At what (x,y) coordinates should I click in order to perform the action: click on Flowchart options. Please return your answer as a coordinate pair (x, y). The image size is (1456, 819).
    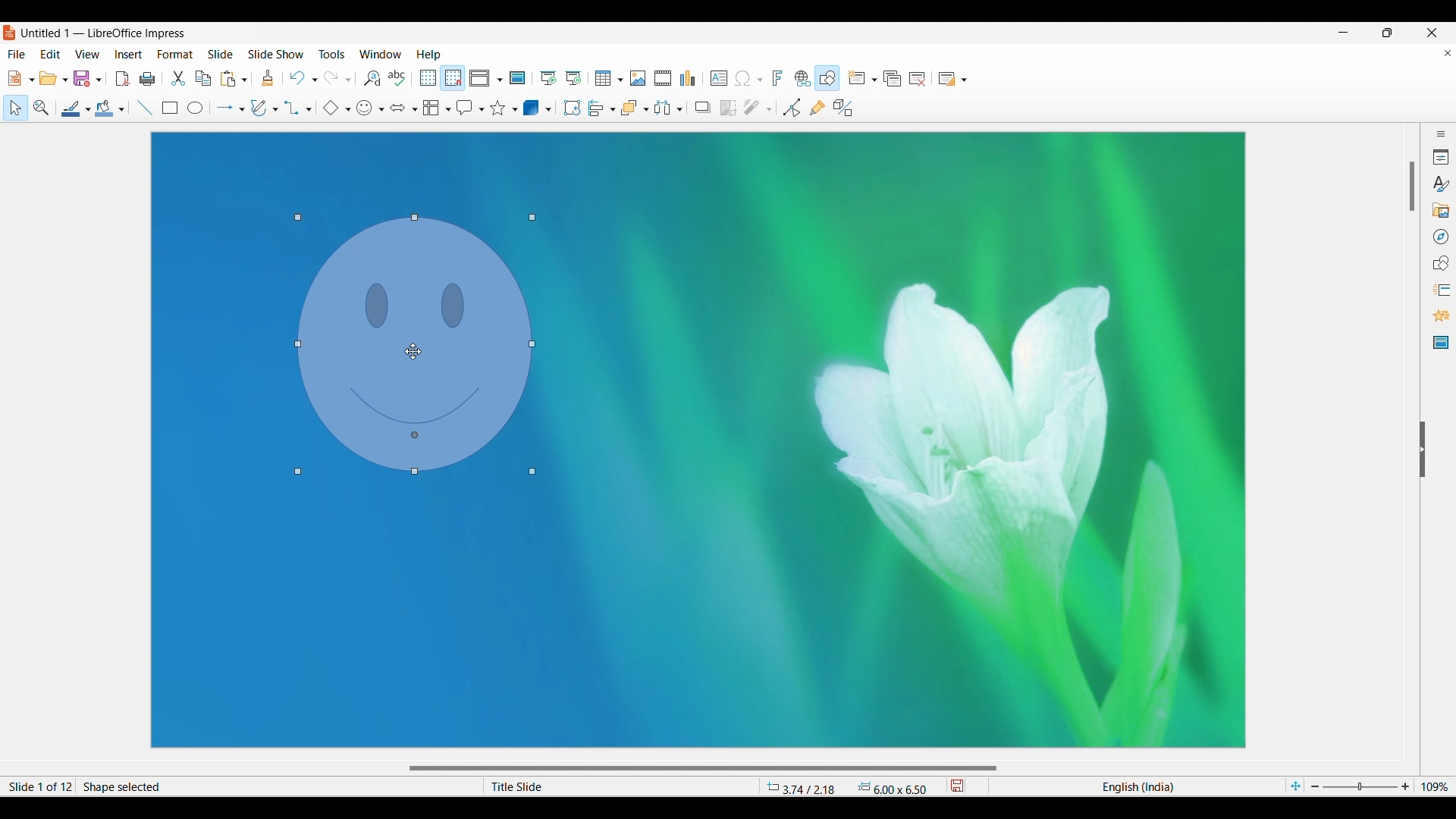
    Looking at the image, I should click on (449, 109).